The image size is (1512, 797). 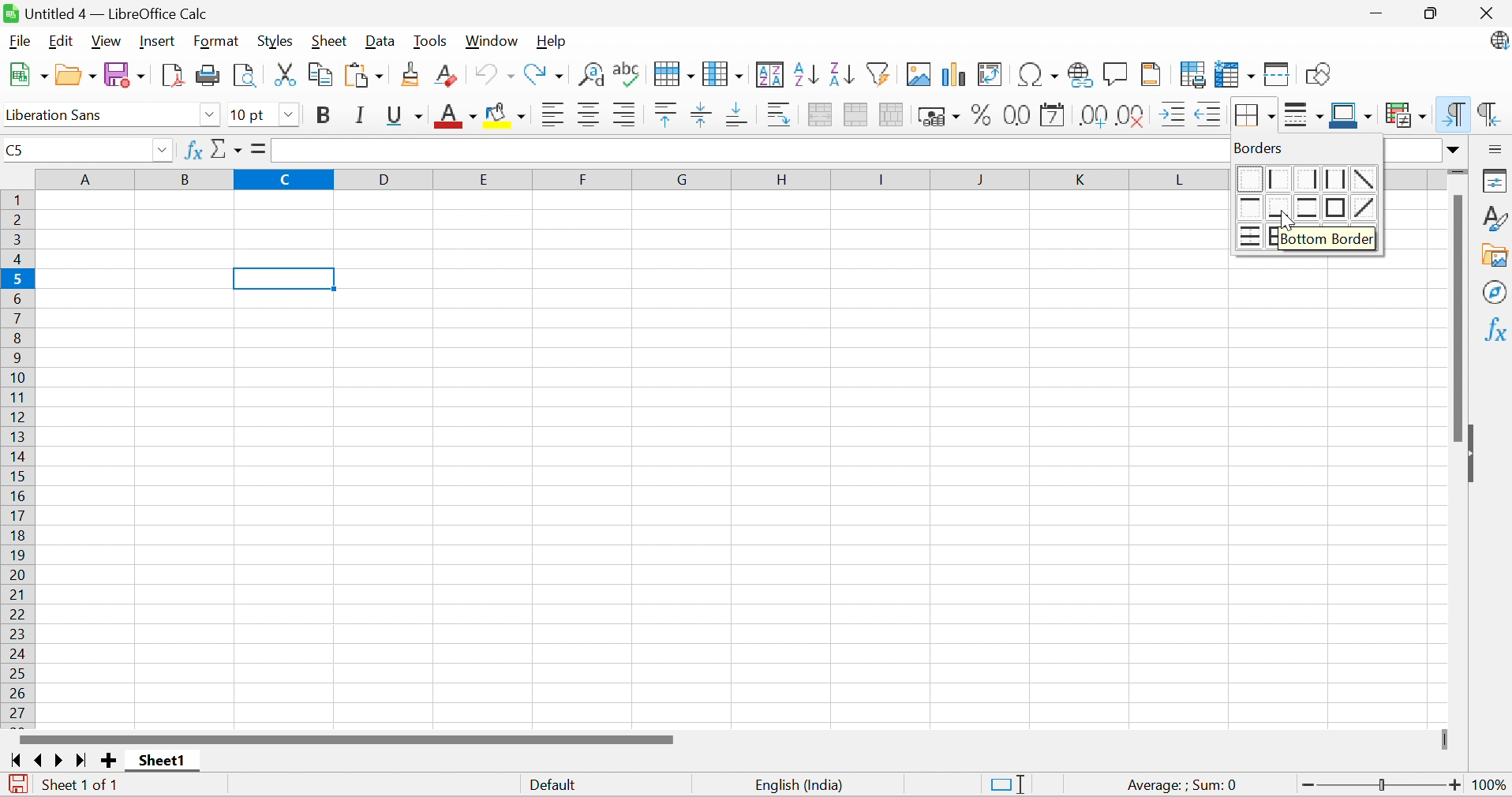 I want to click on Function wizard, so click(x=193, y=148).